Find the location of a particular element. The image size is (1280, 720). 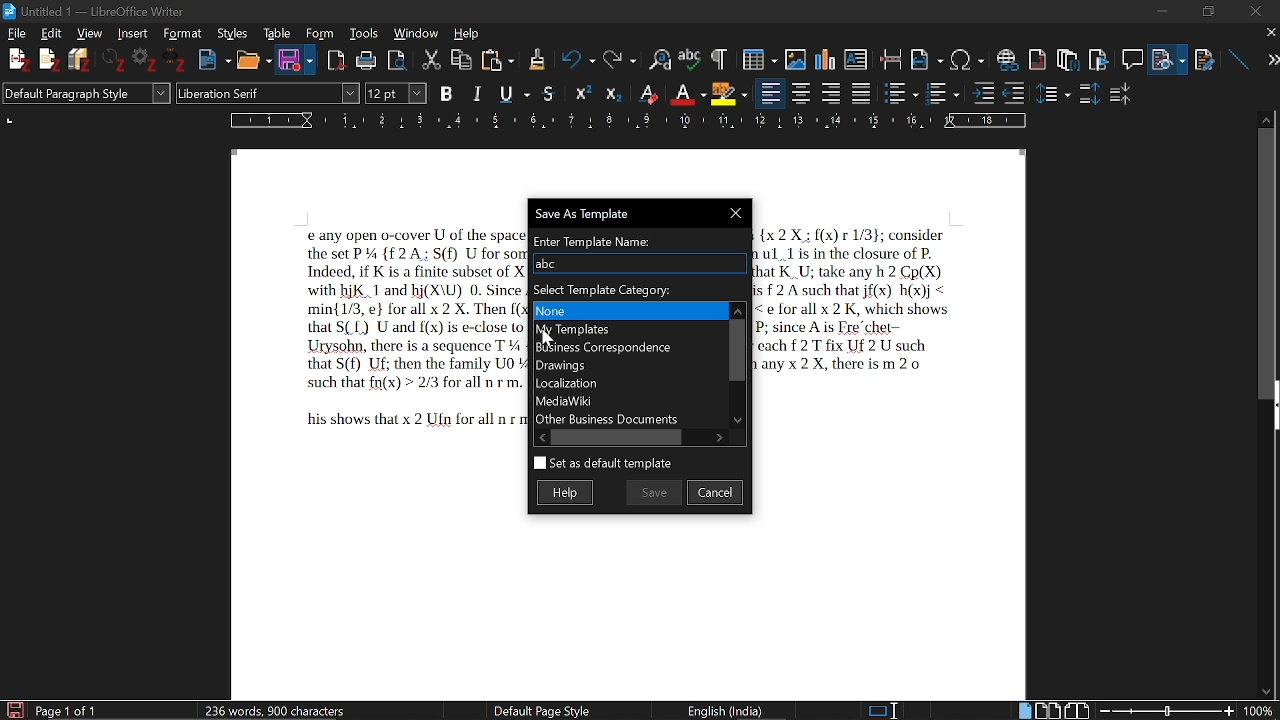

Import as pdf is located at coordinates (337, 57).